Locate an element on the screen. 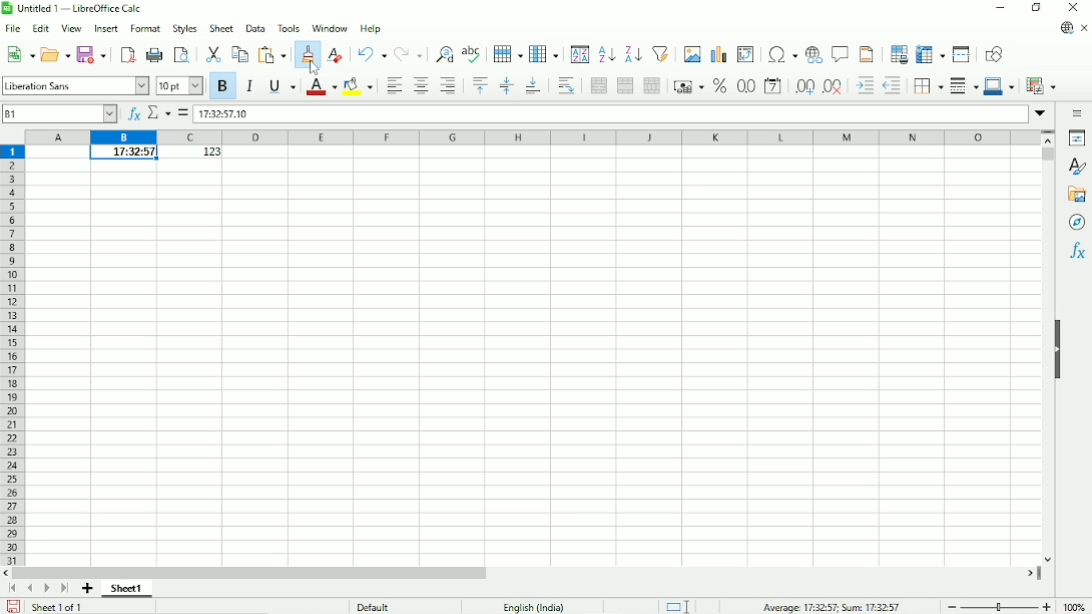 The height and width of the screenshot is (614, 1092). Minimize is located at coordinates (1000, 7).